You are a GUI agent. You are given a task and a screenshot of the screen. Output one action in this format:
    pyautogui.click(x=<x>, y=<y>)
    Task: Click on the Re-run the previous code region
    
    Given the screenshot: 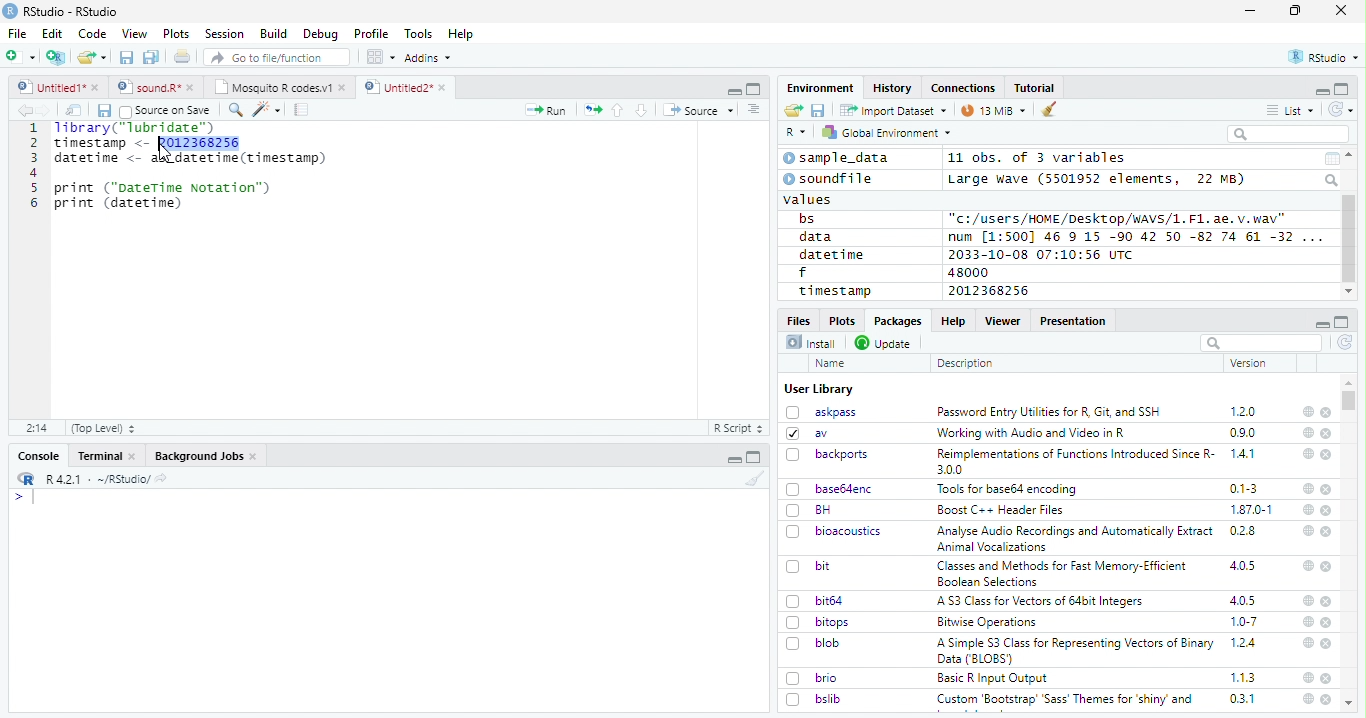 What is the action you would take?
    pyautogui.click(x=591, y=111)
    